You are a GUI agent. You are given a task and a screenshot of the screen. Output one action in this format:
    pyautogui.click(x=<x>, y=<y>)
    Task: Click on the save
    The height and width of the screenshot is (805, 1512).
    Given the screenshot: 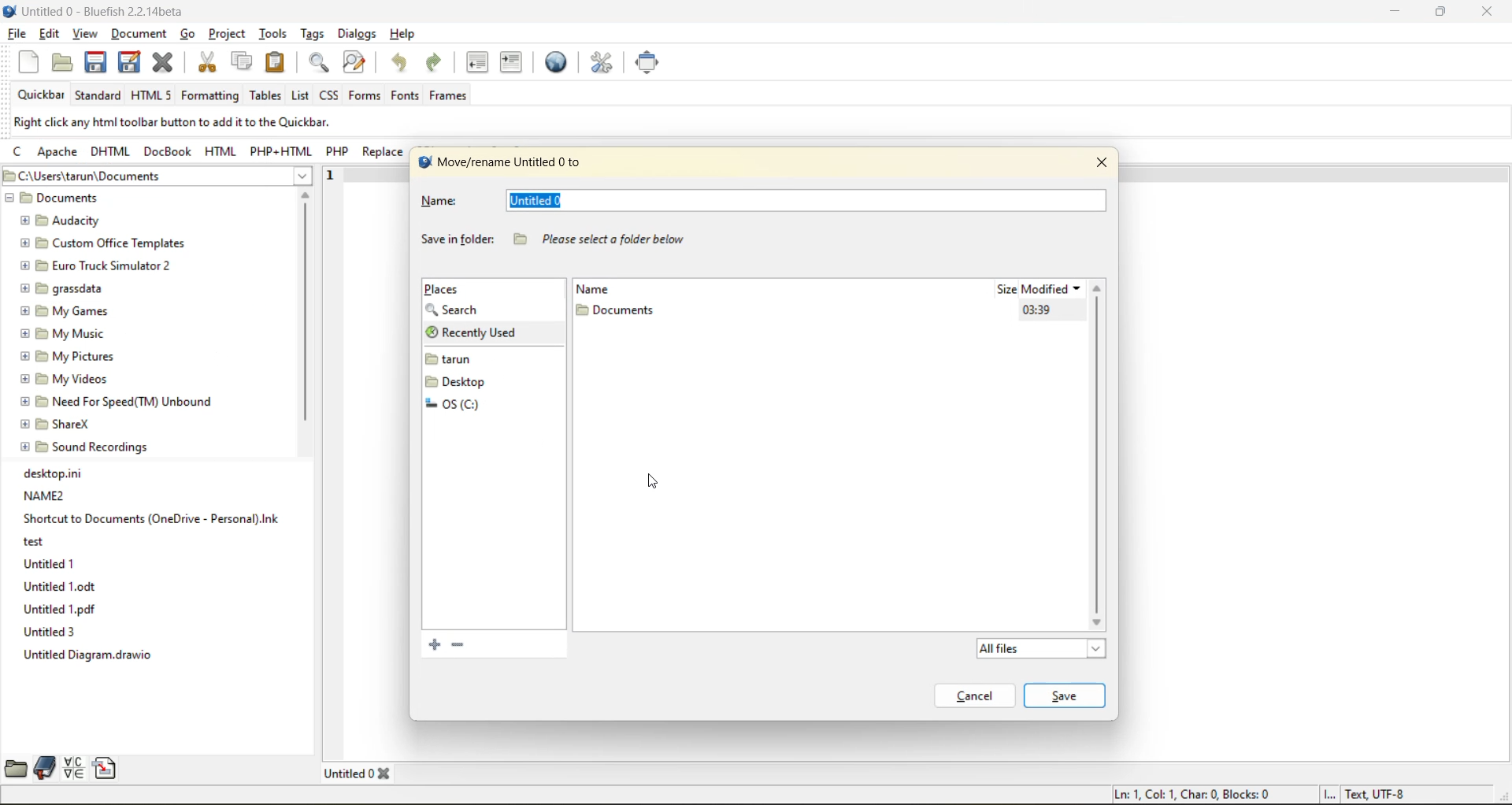 What is the action you would take?
    pyautogui.click(x=1066, y=696)
    